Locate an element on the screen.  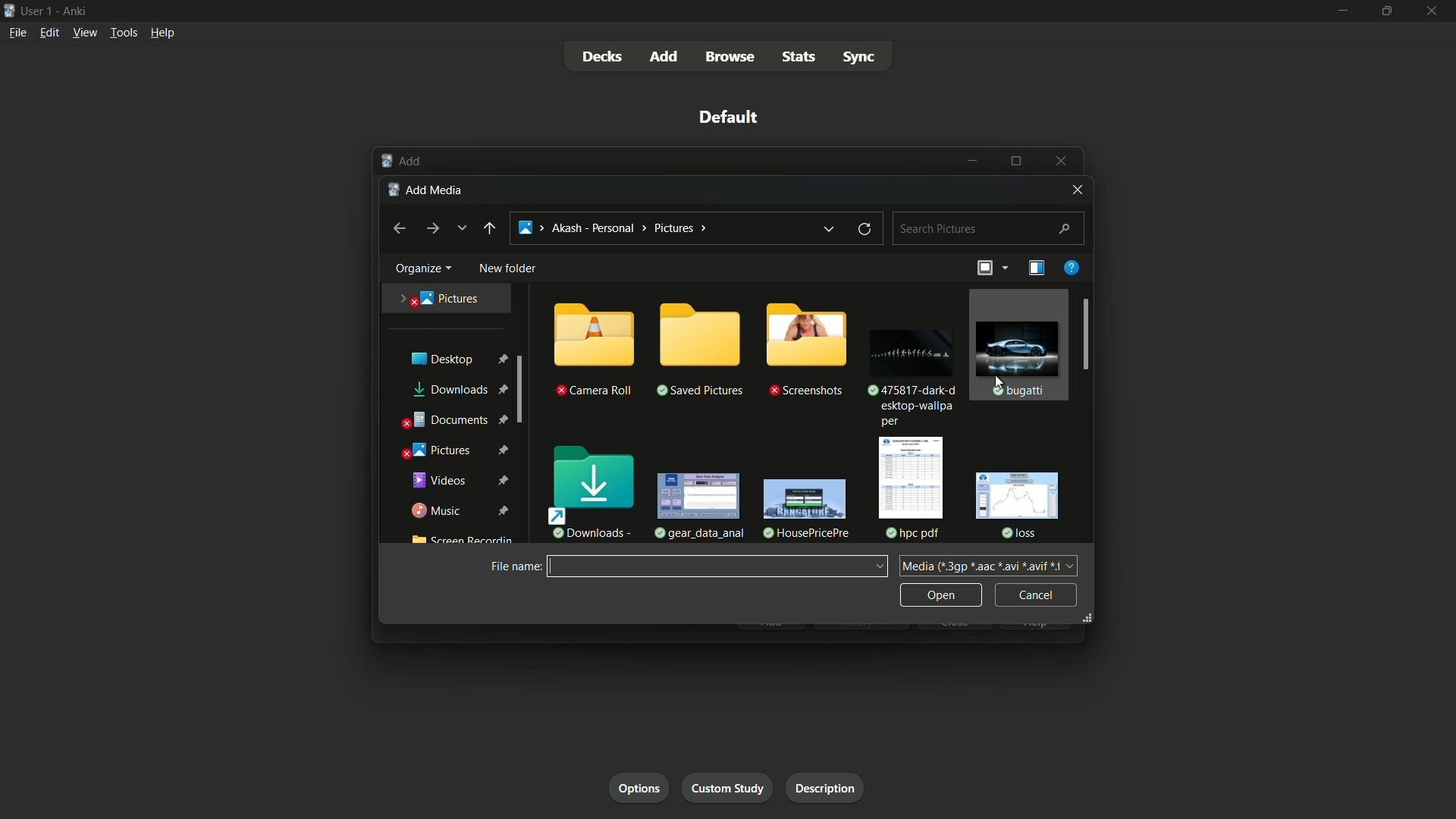
organize is located at coordinates (422, 267).